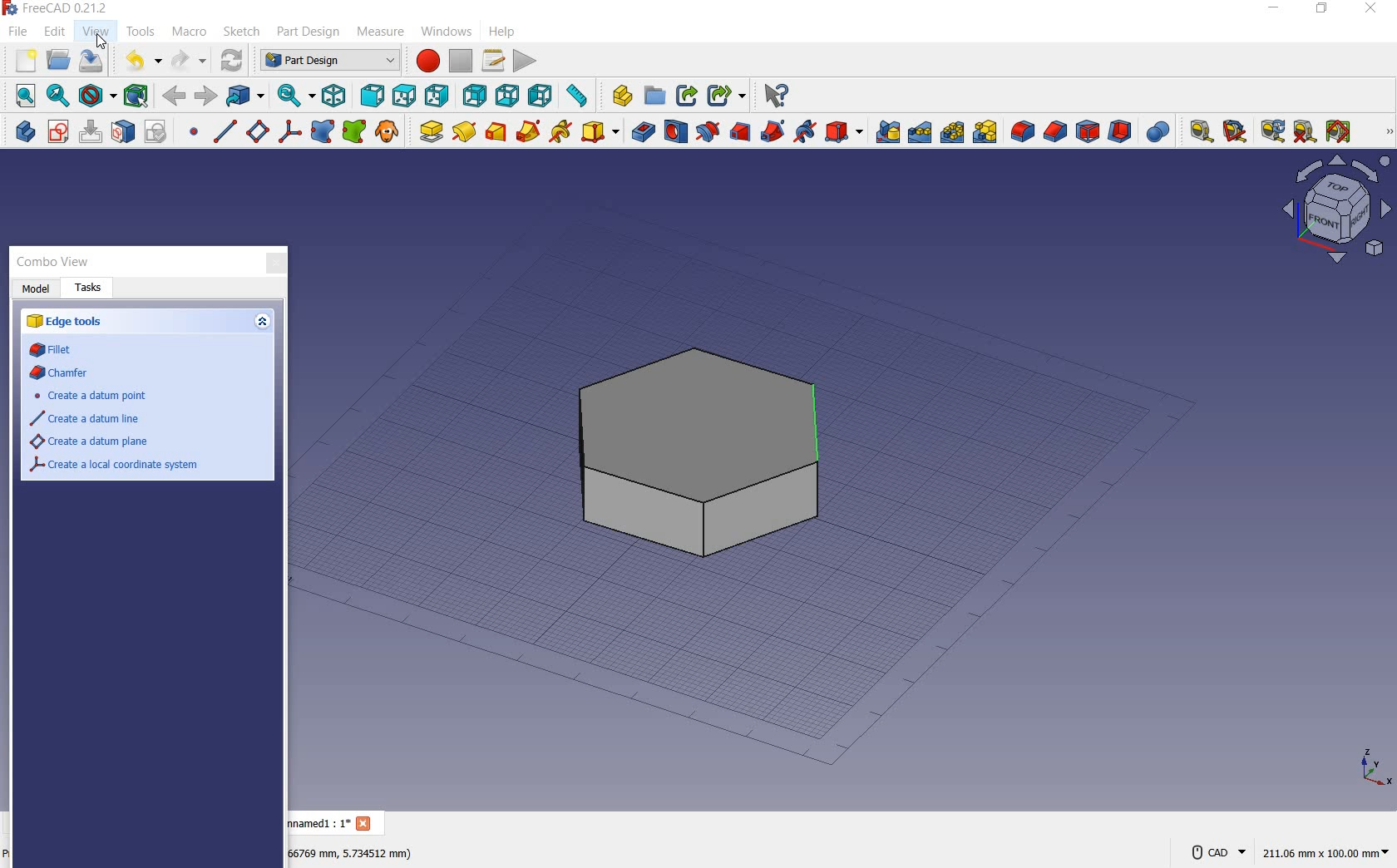 This screenshot has height=868, width=1397. What do you see at coordinates (159, 131) in the screenshot?
I see `validate sketch` at bounding box center [159, 131].